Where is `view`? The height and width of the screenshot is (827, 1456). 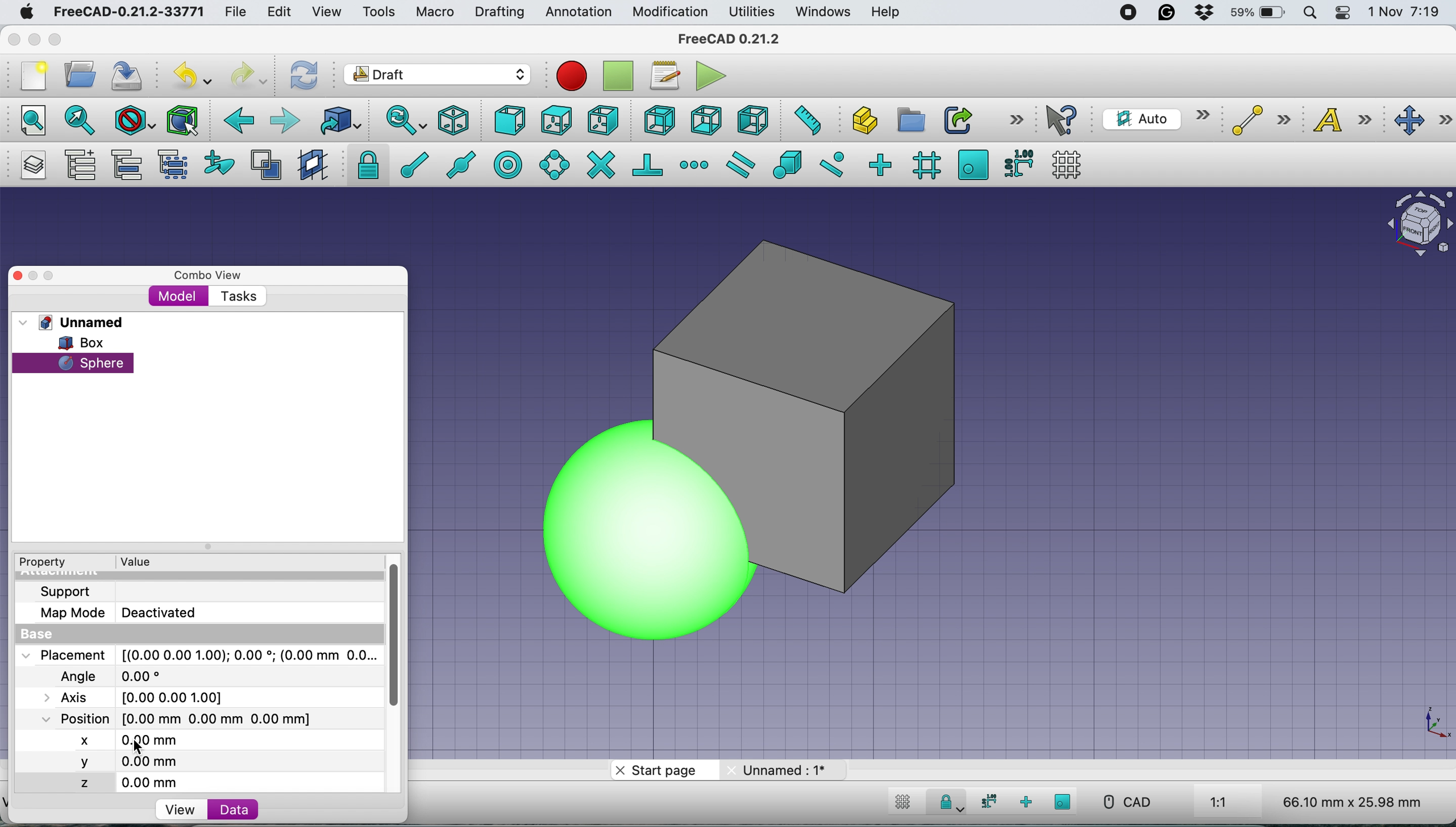 view is located at coordinates (180, 810).